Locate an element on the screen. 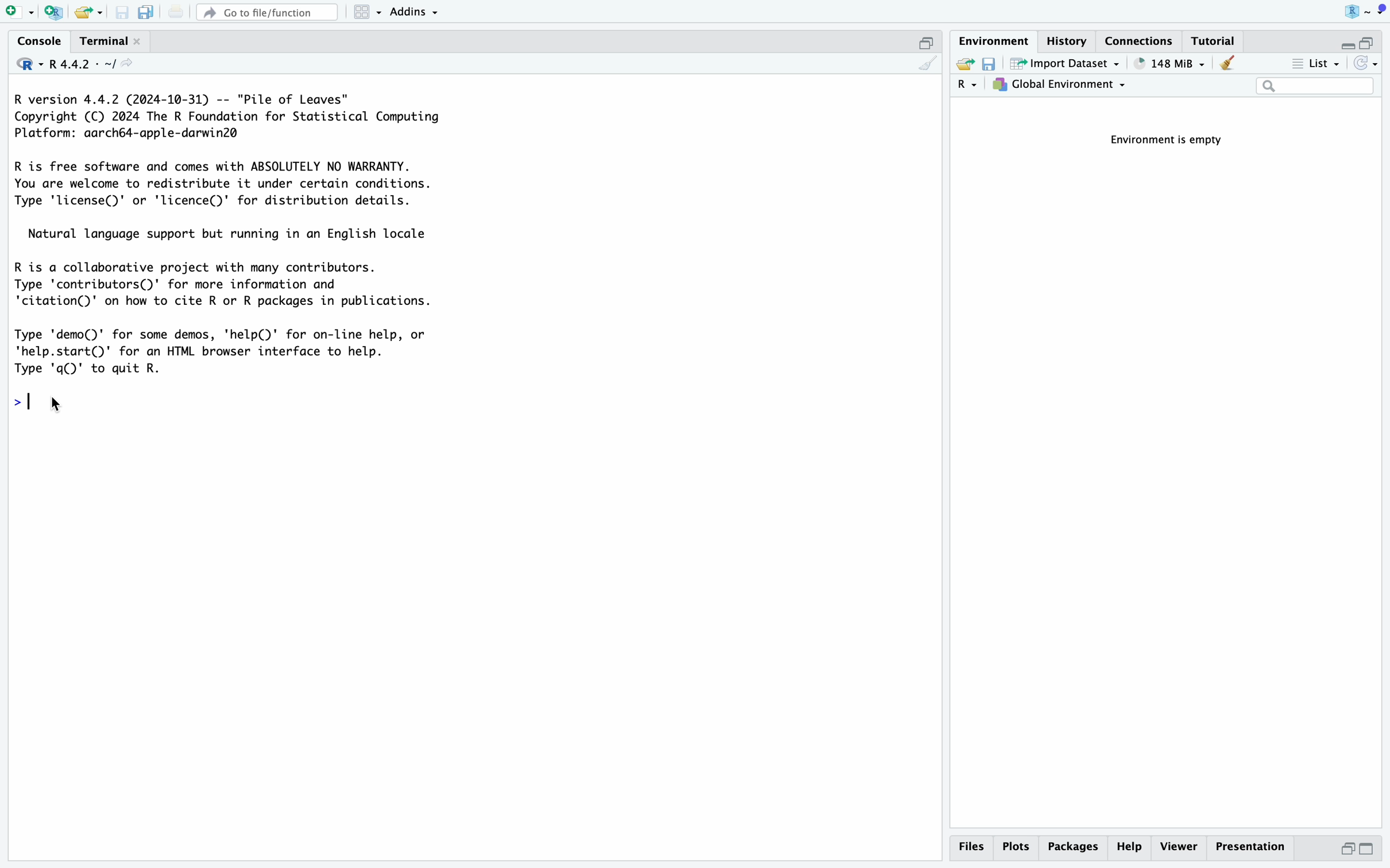  description of version of R  is located at coordinates (222, 116).